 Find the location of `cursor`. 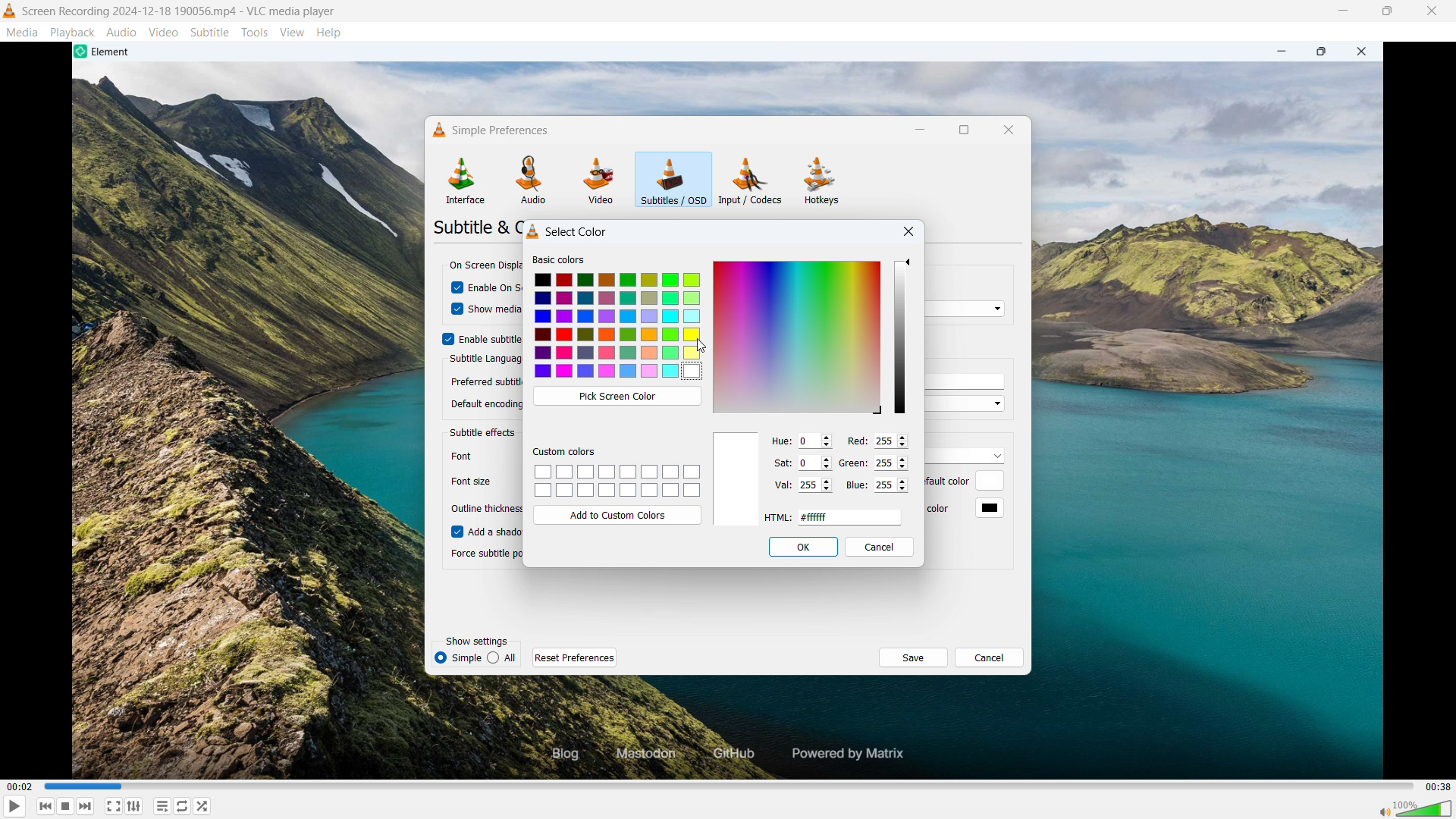

cursor is located at coordinates (454, 310).